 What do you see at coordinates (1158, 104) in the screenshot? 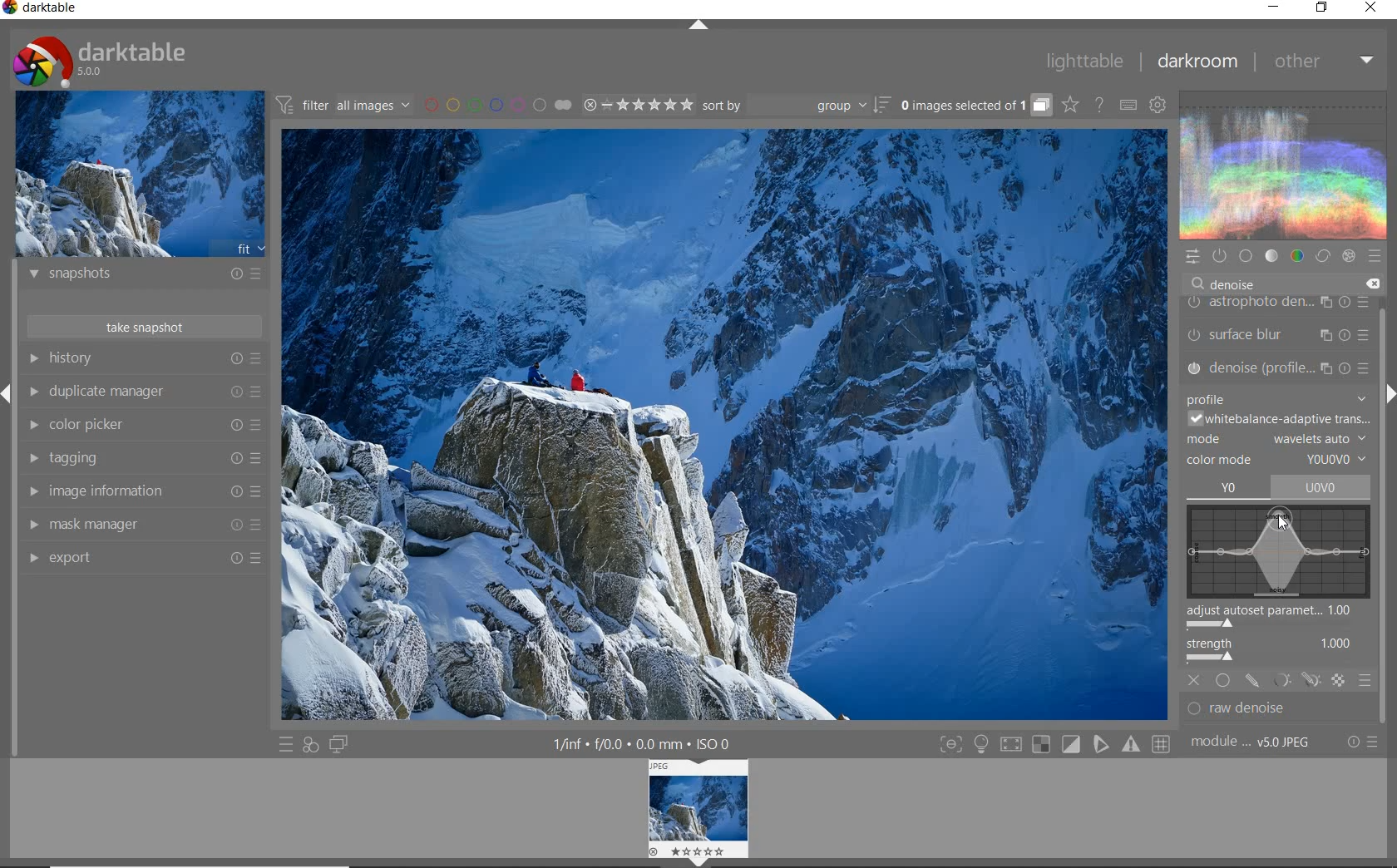
I see `show global preferences` at bounding box center [1158, 104].